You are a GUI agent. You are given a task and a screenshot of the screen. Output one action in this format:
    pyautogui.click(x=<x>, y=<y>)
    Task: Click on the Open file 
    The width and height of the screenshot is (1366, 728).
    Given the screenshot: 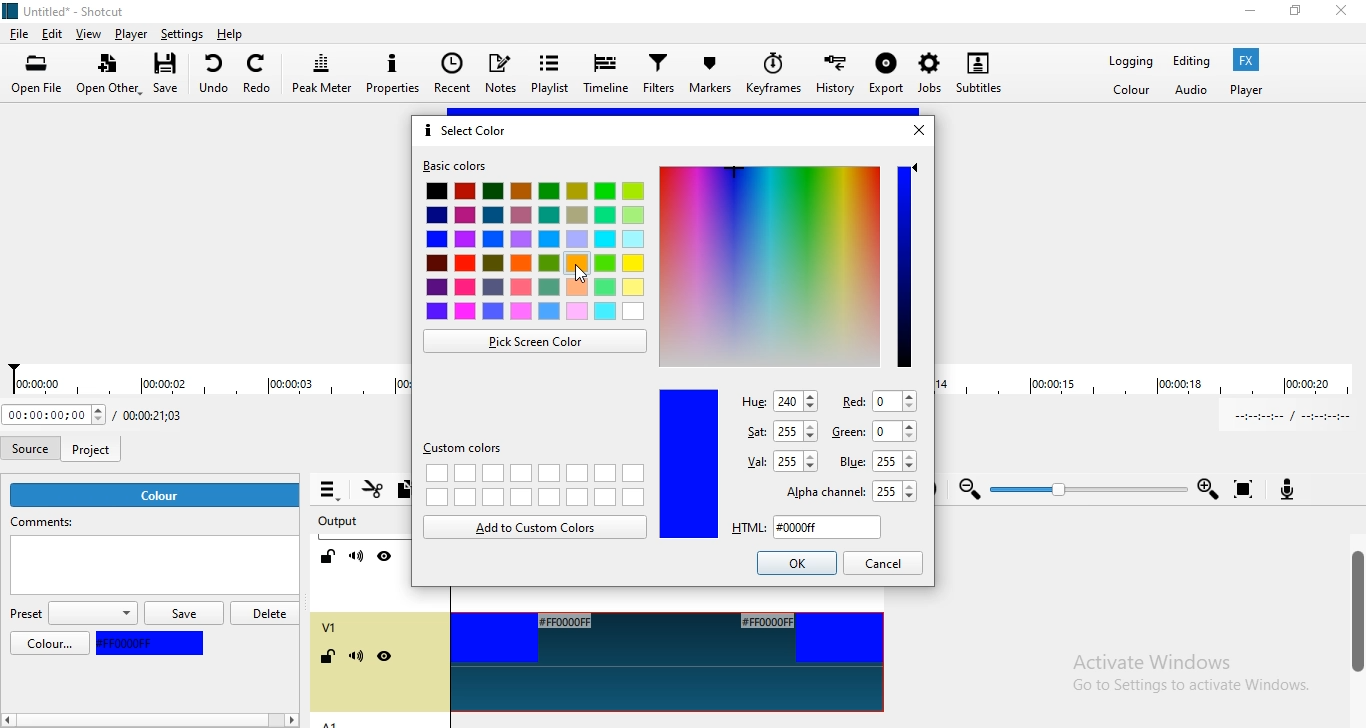 What is the action you would take?
    pyautogui.click(x=37, y=74)
    